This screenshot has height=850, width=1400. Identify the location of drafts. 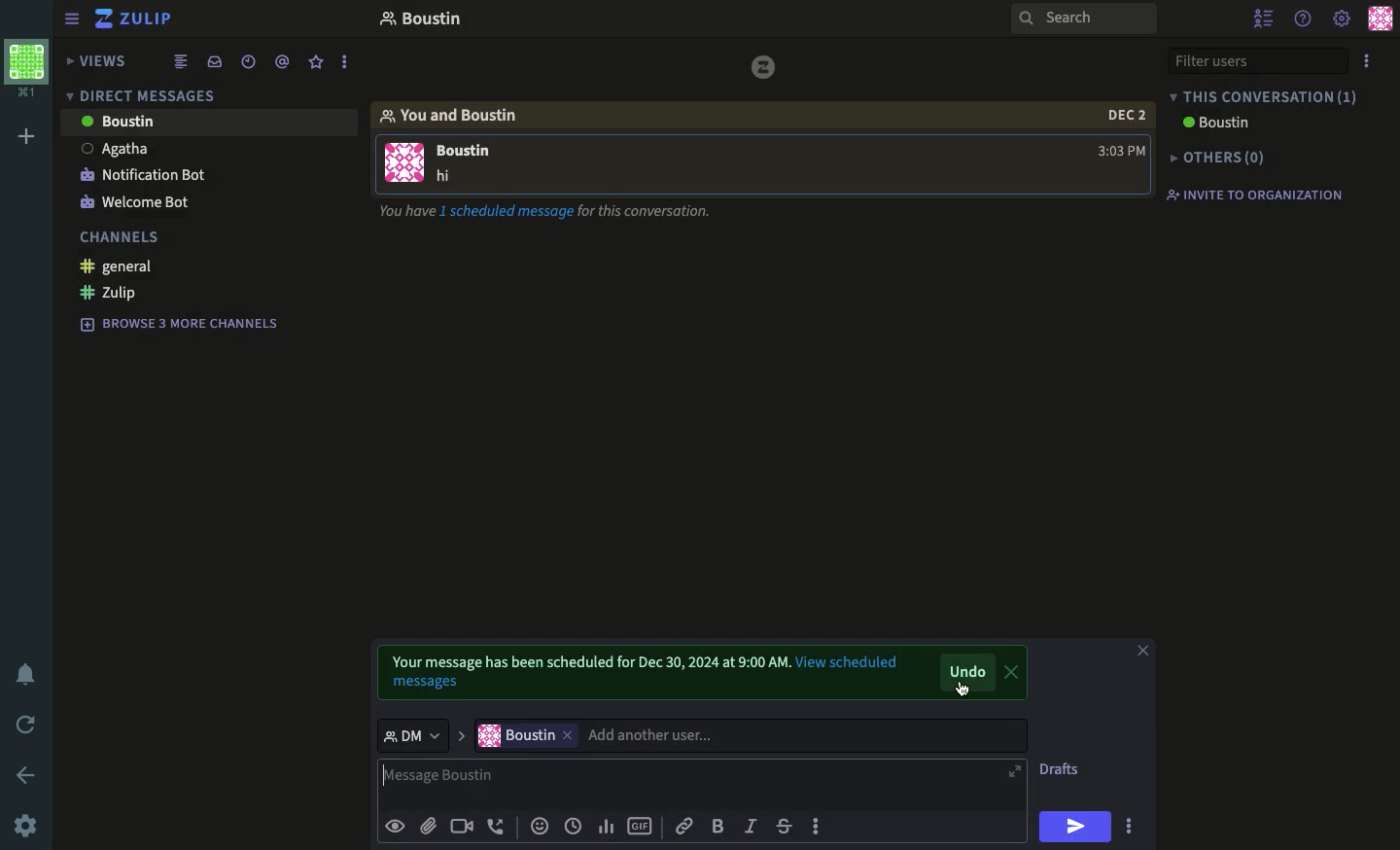
(1062, 770).